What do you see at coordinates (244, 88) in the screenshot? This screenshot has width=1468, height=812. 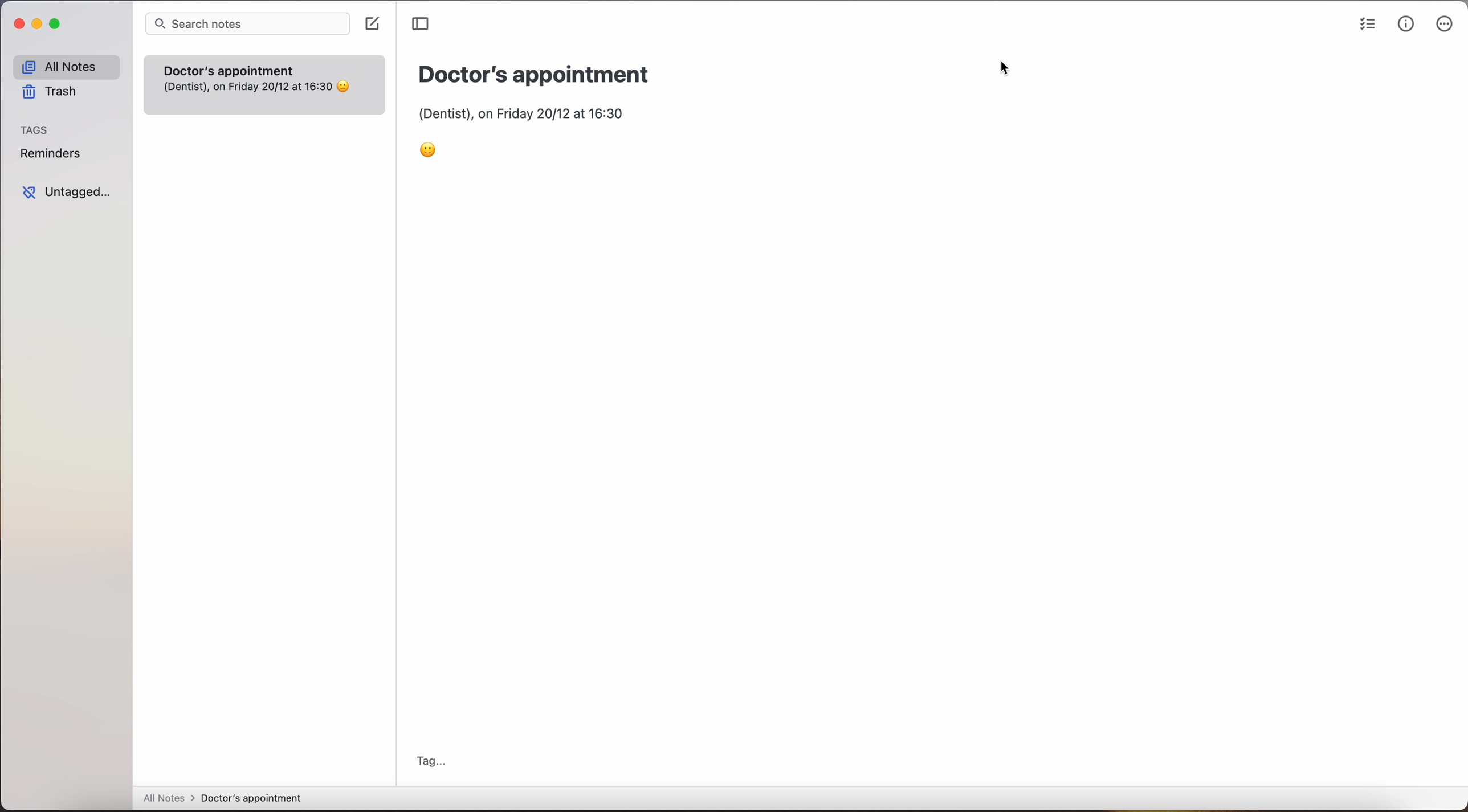 I see `(Dentist), on Friday 20/12 at 16:30` at bounding box center [244, 88].